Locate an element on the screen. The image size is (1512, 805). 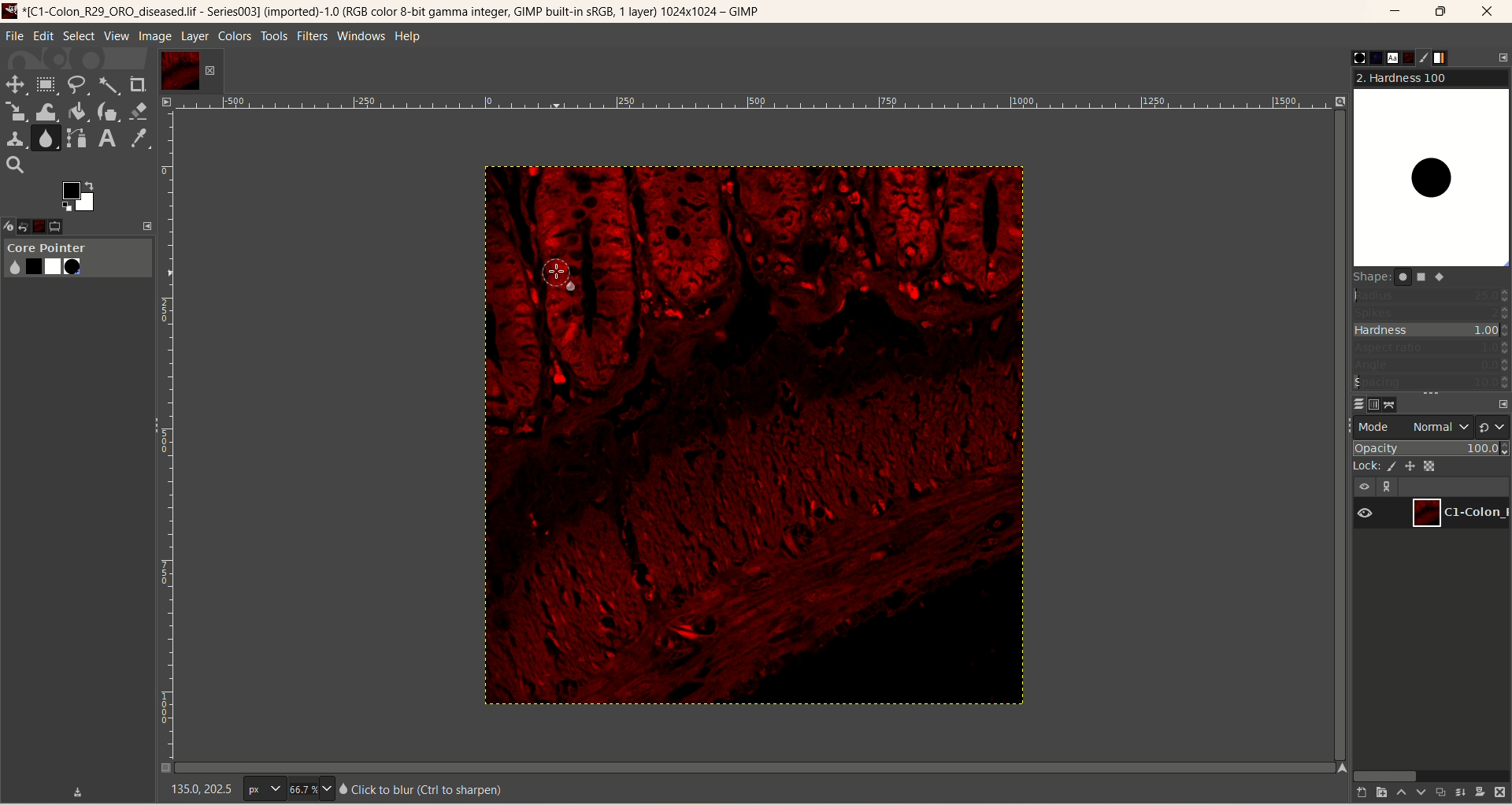
close is located at coordinates (1489, 12).